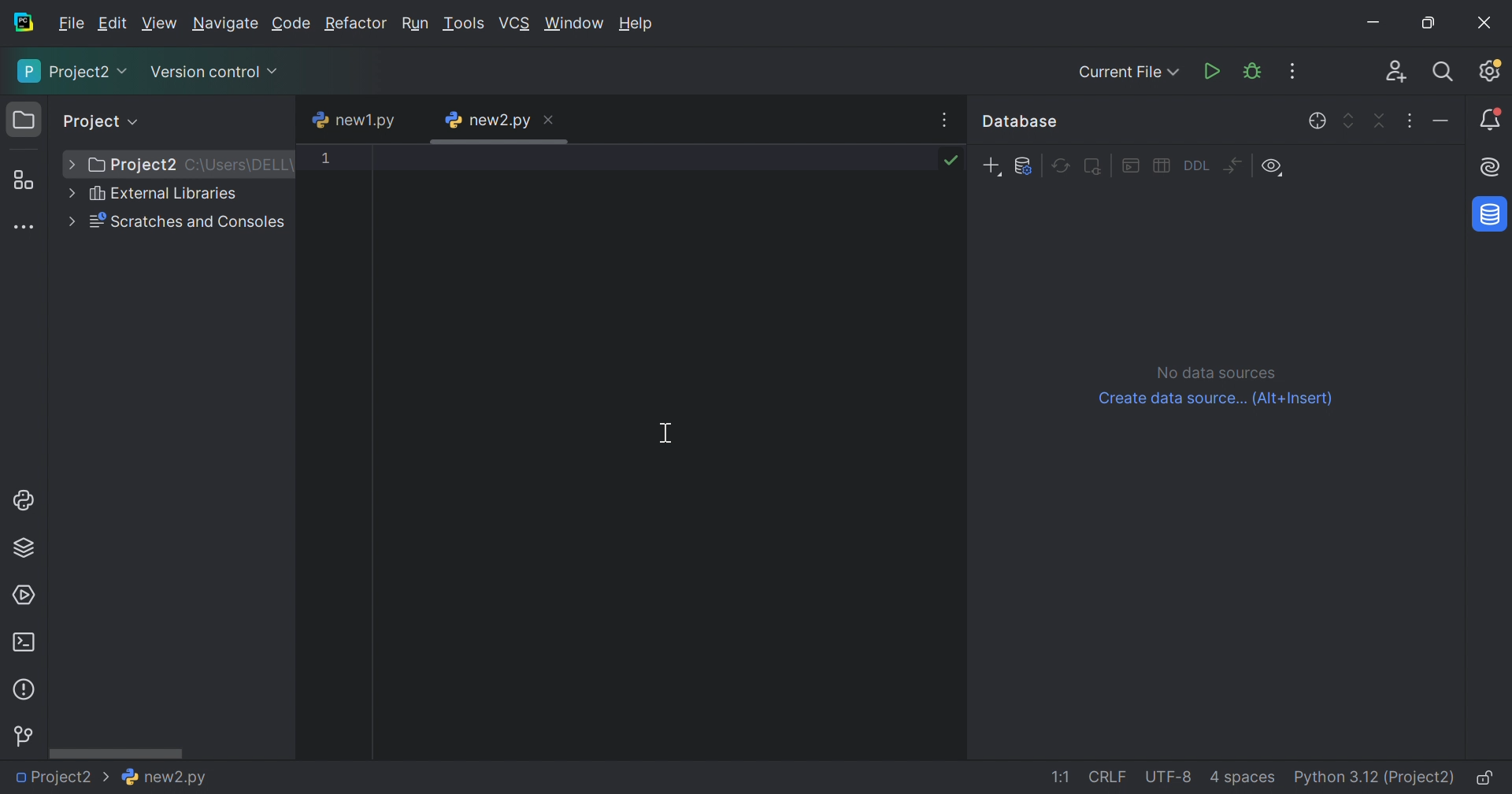 This screenshot has height=794, width=1512. Describe the element at coordinates (953, 159) in the screenshot. I see `No problems found` at that location.